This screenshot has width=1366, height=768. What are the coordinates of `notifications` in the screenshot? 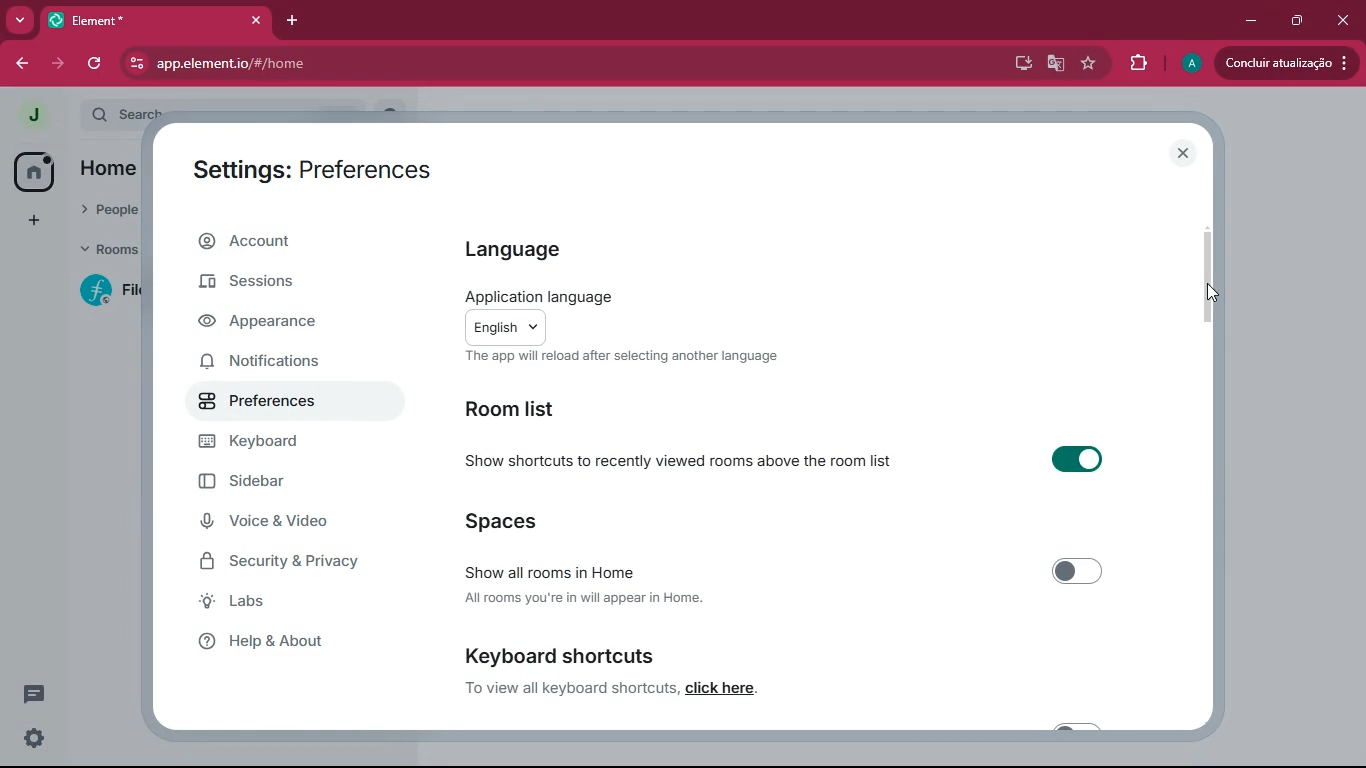 It's located at (281, 366).